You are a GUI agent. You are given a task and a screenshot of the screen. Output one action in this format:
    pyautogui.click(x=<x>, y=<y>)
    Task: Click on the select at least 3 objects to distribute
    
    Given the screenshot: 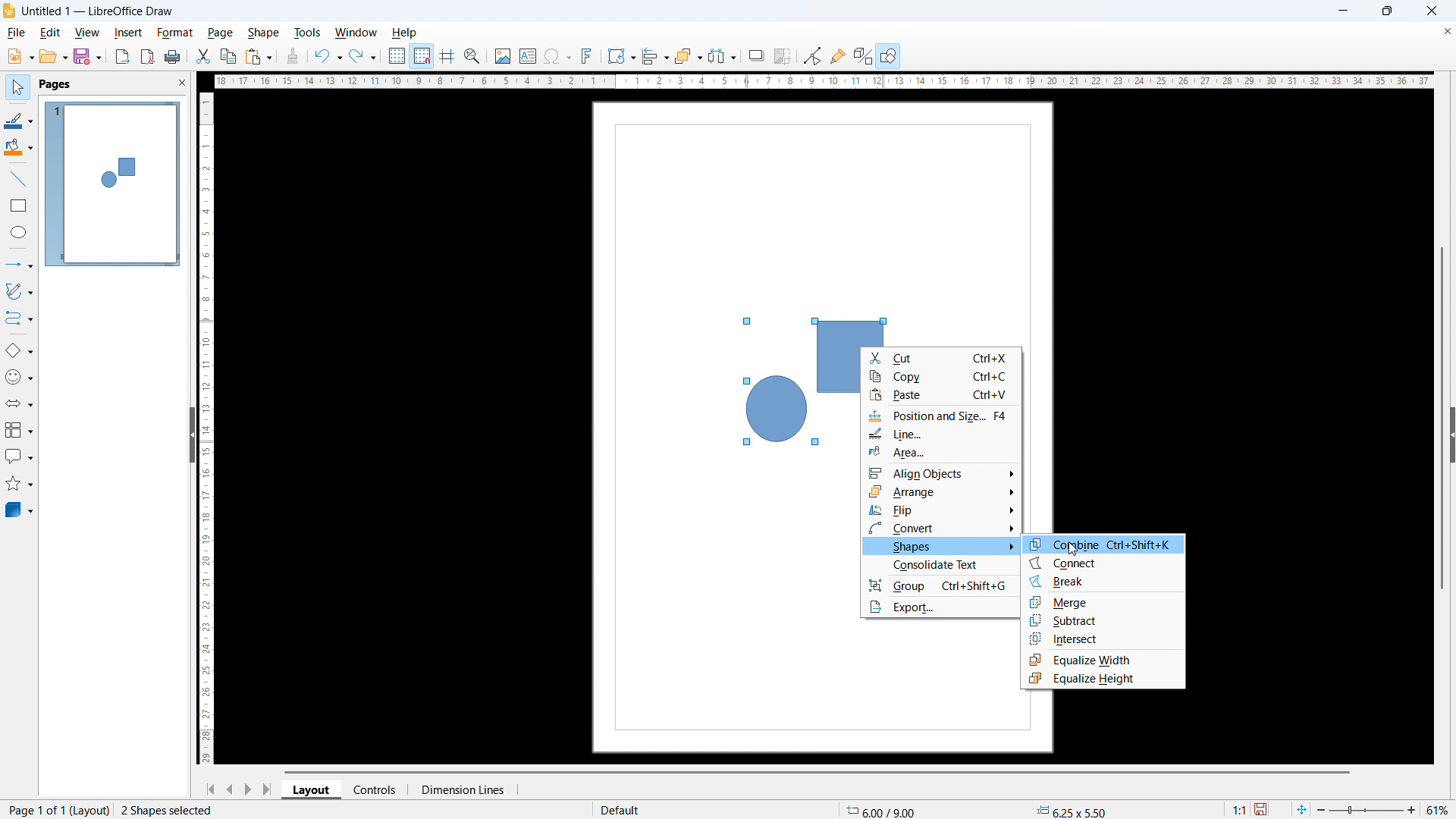 What is the action you would take?
    pyautogui.click(x=723, y=55)
    